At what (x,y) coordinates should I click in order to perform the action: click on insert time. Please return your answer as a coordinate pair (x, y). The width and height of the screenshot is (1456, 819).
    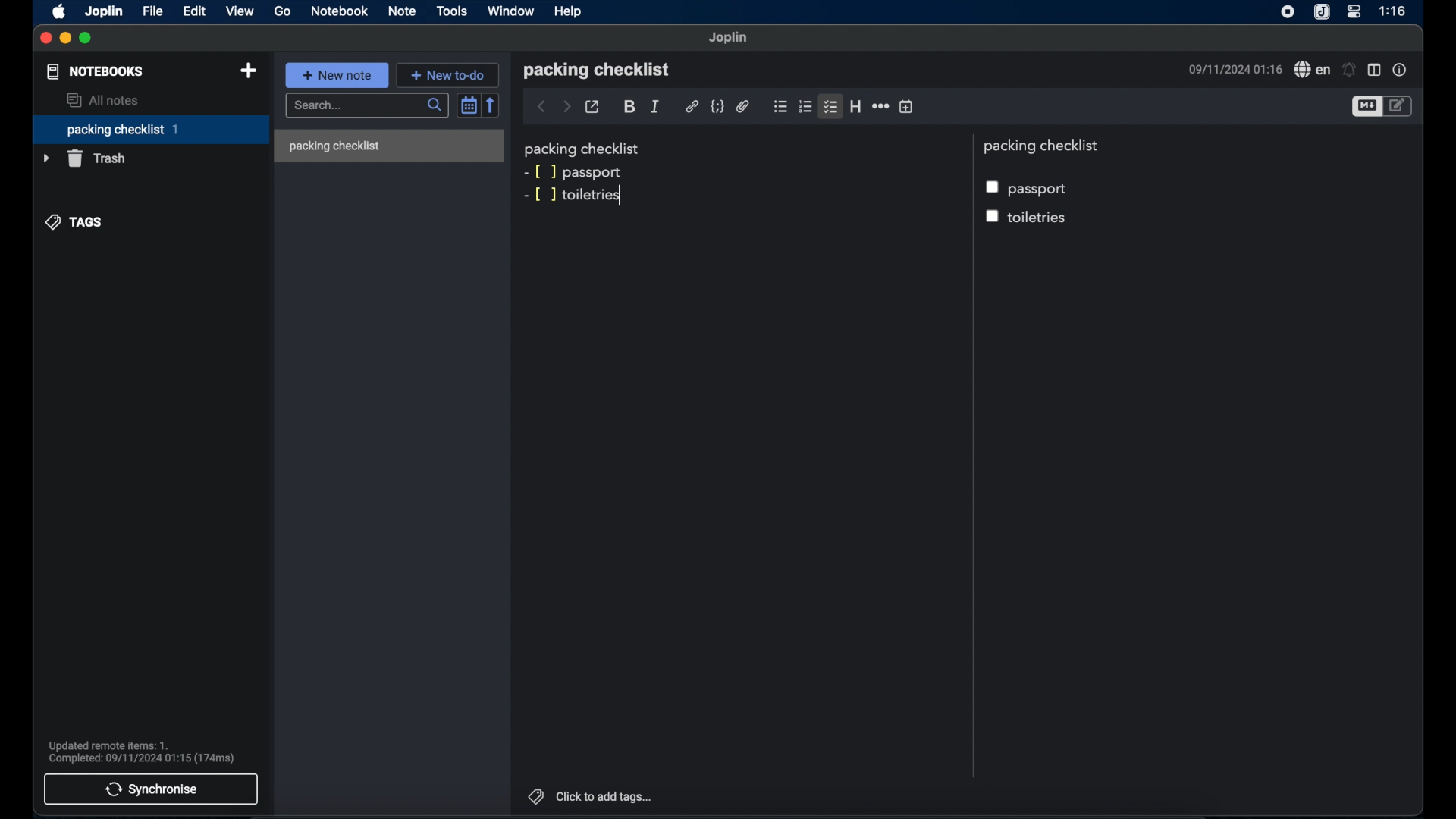
    Looking at the image, I should click on (907, 107).